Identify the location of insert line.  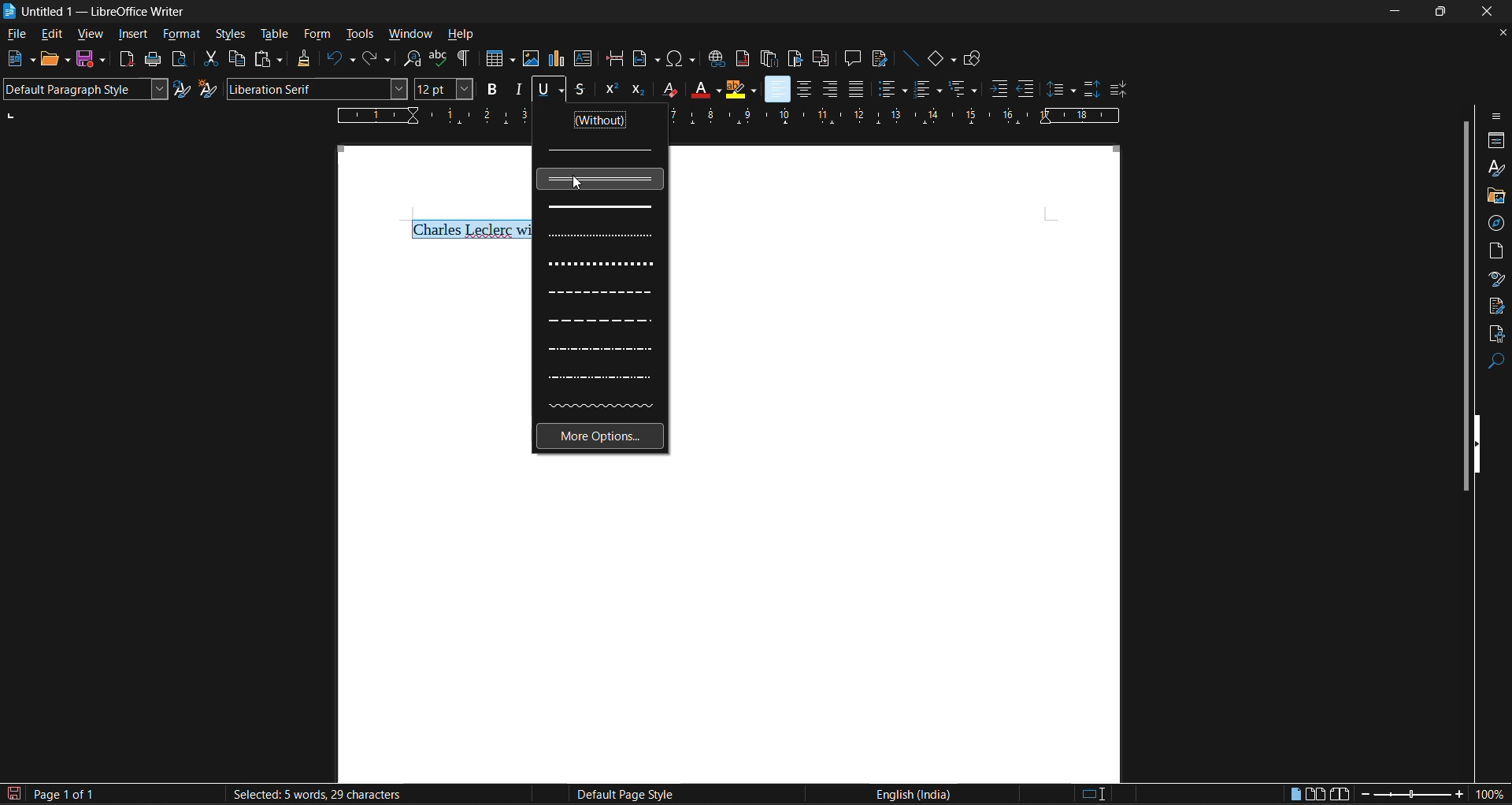
(910, 58).